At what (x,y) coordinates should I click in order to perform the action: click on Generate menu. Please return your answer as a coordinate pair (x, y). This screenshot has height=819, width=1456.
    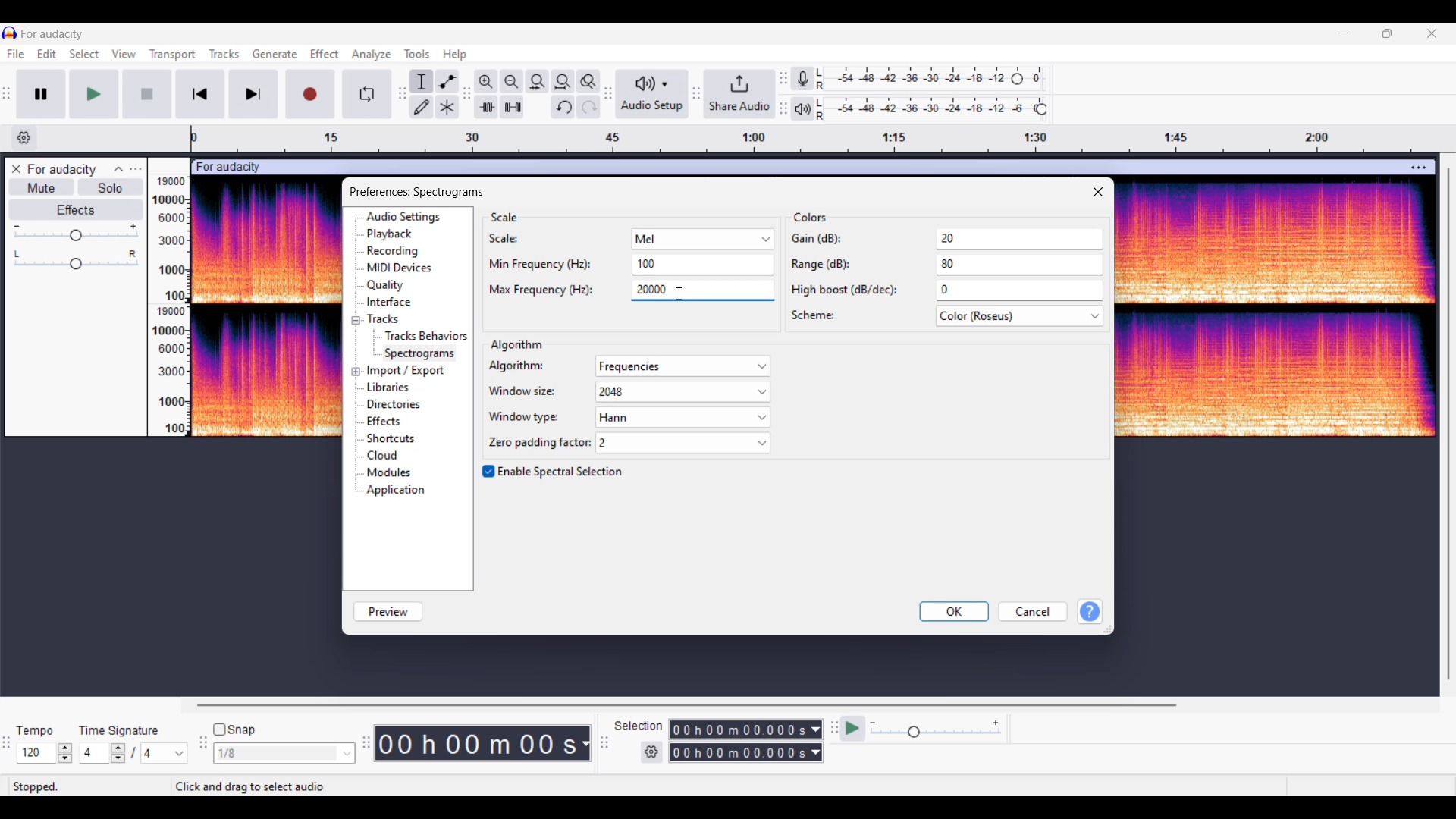
    Looking at the image, I should click on (275, 54).